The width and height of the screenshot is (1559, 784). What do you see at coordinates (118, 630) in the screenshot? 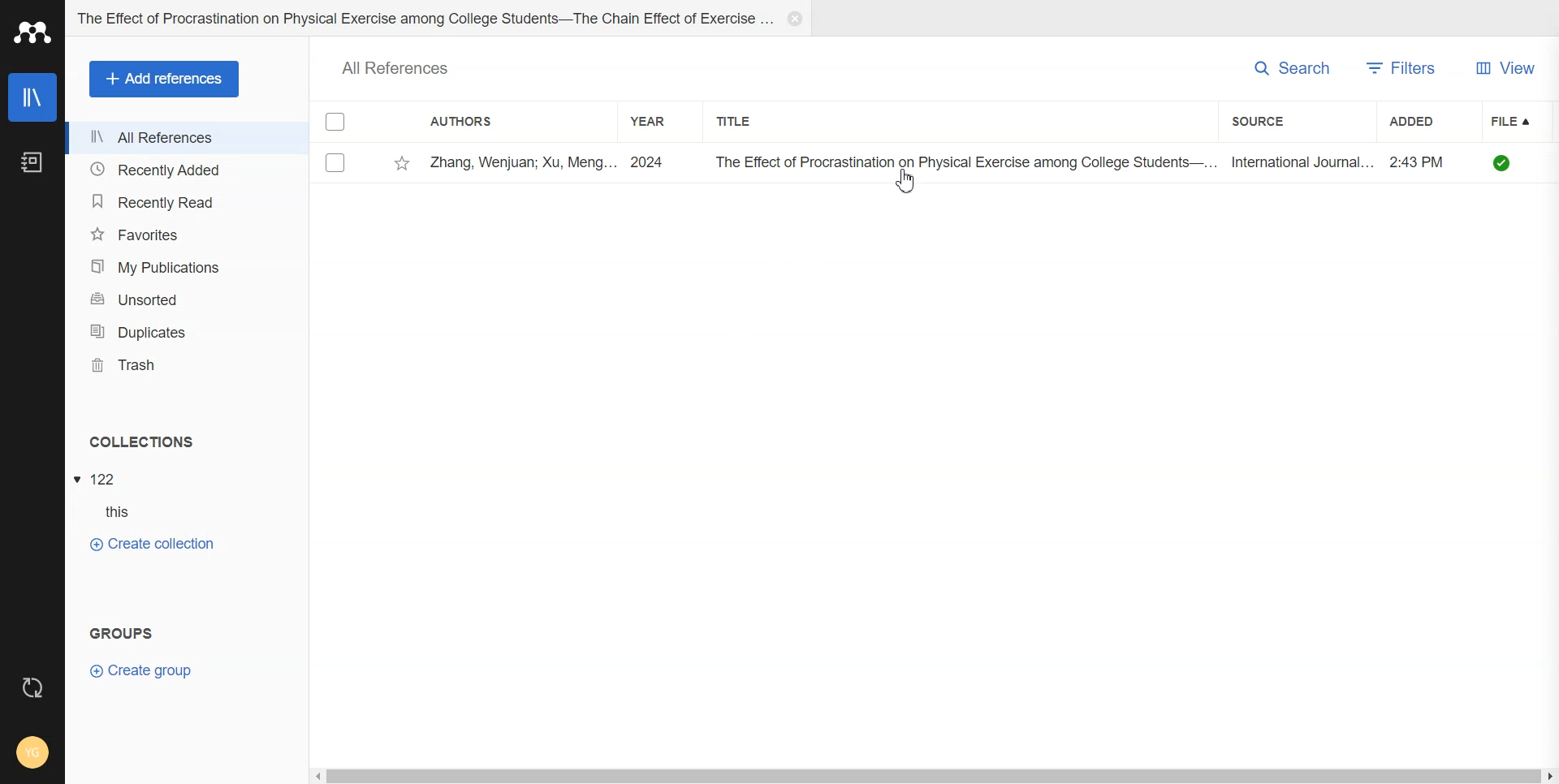
I see `Text` at bounding box center [118, 630].